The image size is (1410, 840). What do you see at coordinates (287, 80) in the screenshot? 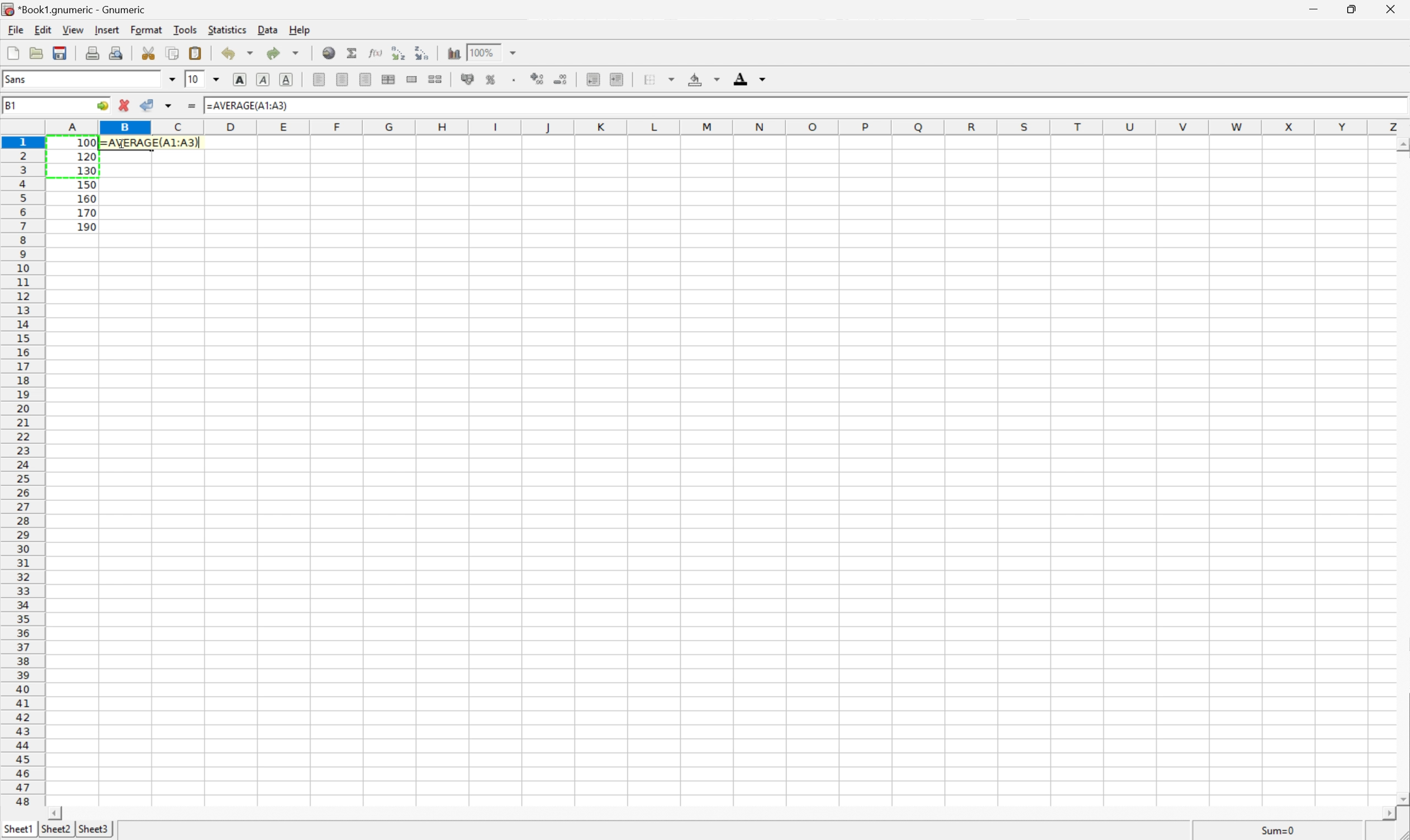
I see `Underline` at bounding box center [287, 80].